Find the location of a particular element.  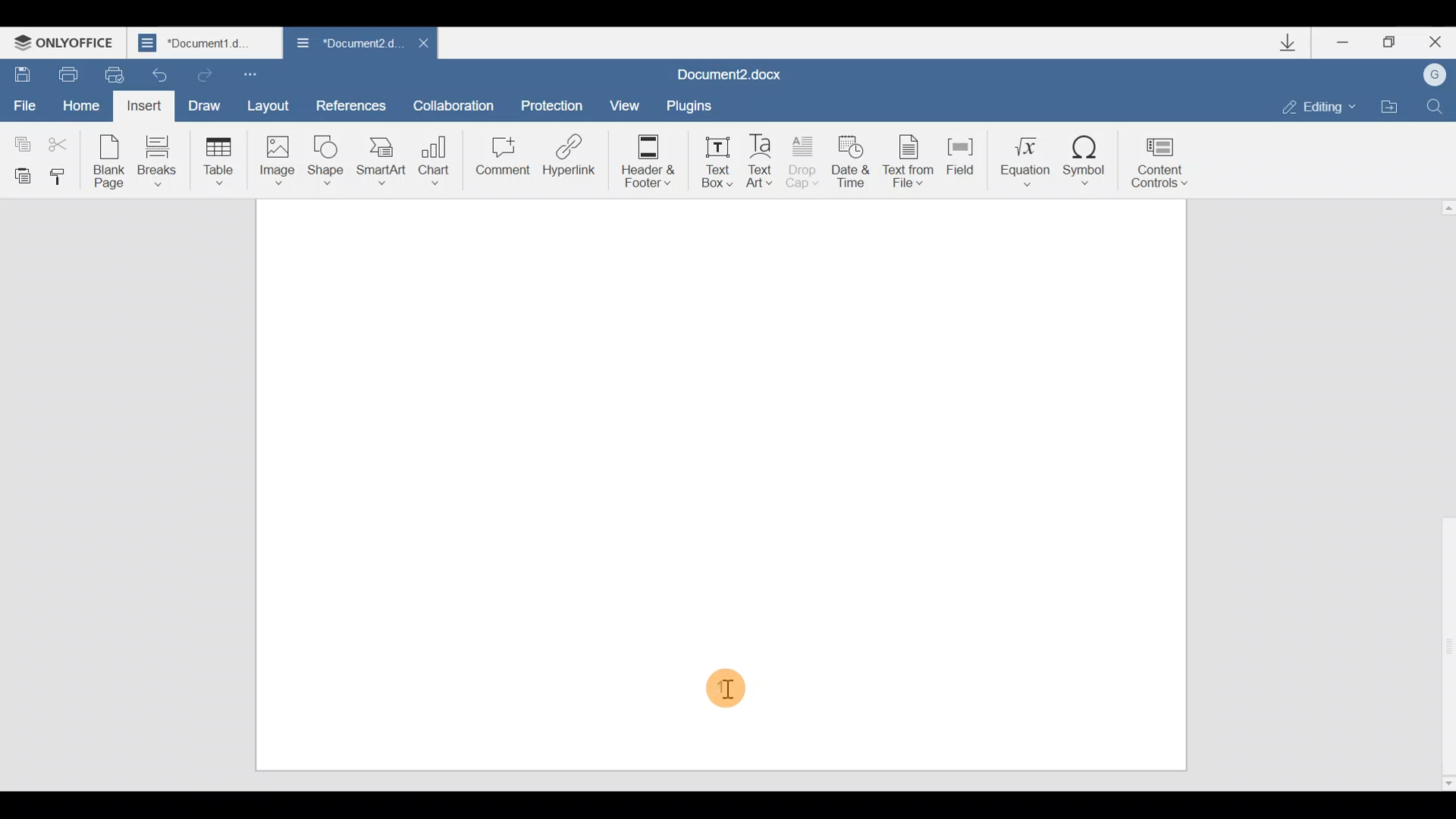

Date & time is located at coordinates (851, 158).